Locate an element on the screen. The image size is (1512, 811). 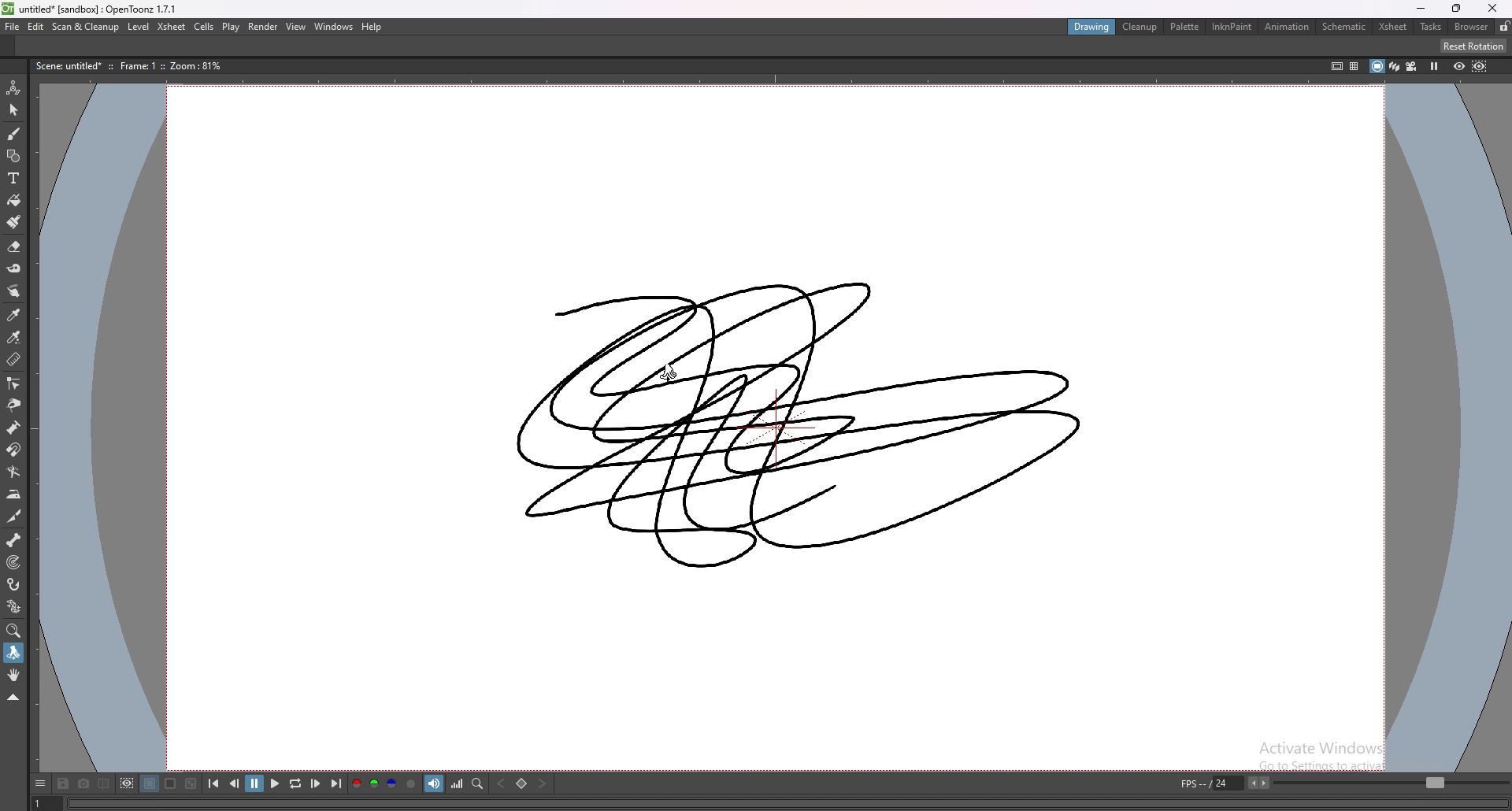
shapes tool is located at coordinates (13, 157).